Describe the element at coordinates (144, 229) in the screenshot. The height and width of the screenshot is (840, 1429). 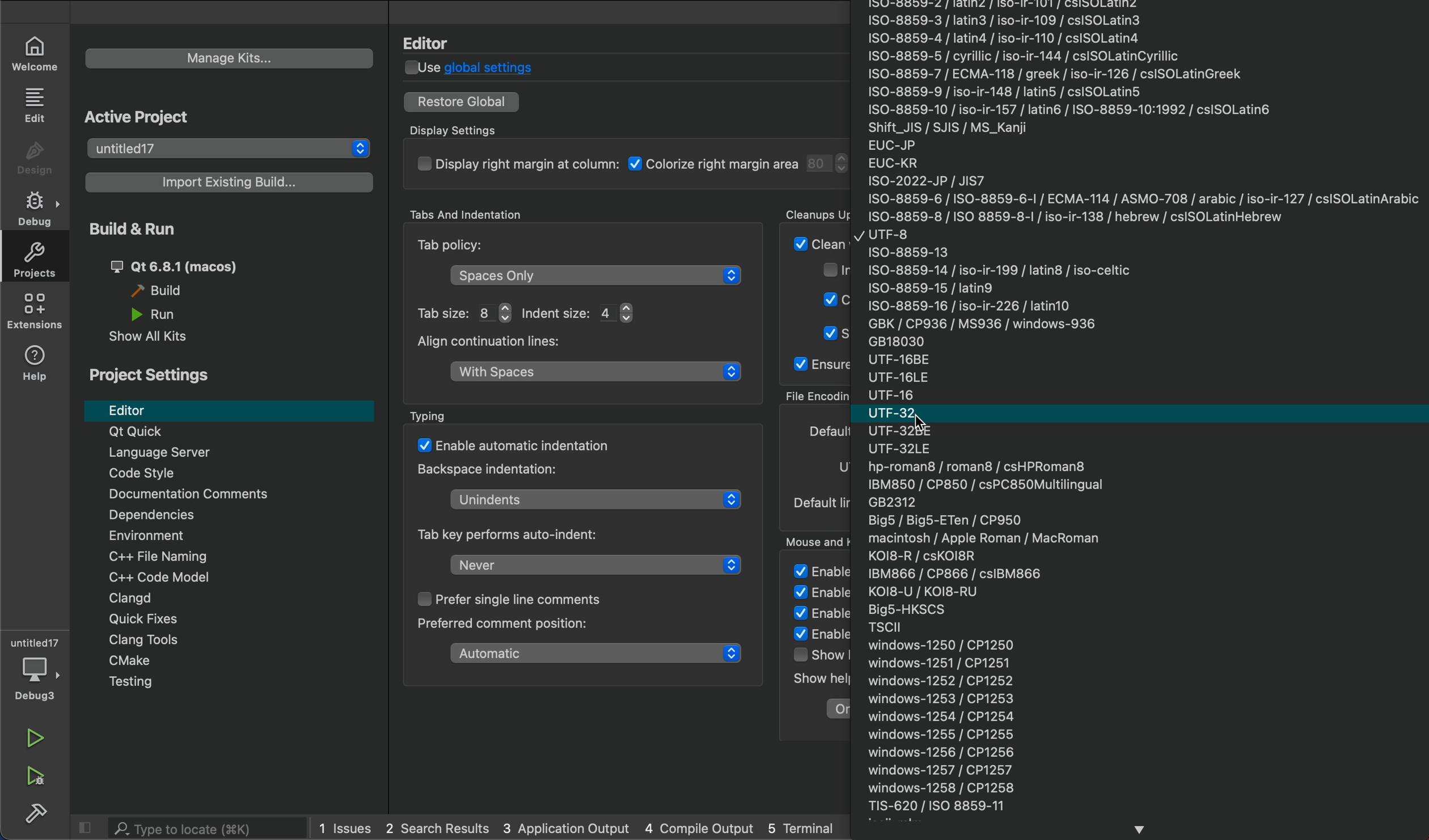
I see `Build & Run` at that location.